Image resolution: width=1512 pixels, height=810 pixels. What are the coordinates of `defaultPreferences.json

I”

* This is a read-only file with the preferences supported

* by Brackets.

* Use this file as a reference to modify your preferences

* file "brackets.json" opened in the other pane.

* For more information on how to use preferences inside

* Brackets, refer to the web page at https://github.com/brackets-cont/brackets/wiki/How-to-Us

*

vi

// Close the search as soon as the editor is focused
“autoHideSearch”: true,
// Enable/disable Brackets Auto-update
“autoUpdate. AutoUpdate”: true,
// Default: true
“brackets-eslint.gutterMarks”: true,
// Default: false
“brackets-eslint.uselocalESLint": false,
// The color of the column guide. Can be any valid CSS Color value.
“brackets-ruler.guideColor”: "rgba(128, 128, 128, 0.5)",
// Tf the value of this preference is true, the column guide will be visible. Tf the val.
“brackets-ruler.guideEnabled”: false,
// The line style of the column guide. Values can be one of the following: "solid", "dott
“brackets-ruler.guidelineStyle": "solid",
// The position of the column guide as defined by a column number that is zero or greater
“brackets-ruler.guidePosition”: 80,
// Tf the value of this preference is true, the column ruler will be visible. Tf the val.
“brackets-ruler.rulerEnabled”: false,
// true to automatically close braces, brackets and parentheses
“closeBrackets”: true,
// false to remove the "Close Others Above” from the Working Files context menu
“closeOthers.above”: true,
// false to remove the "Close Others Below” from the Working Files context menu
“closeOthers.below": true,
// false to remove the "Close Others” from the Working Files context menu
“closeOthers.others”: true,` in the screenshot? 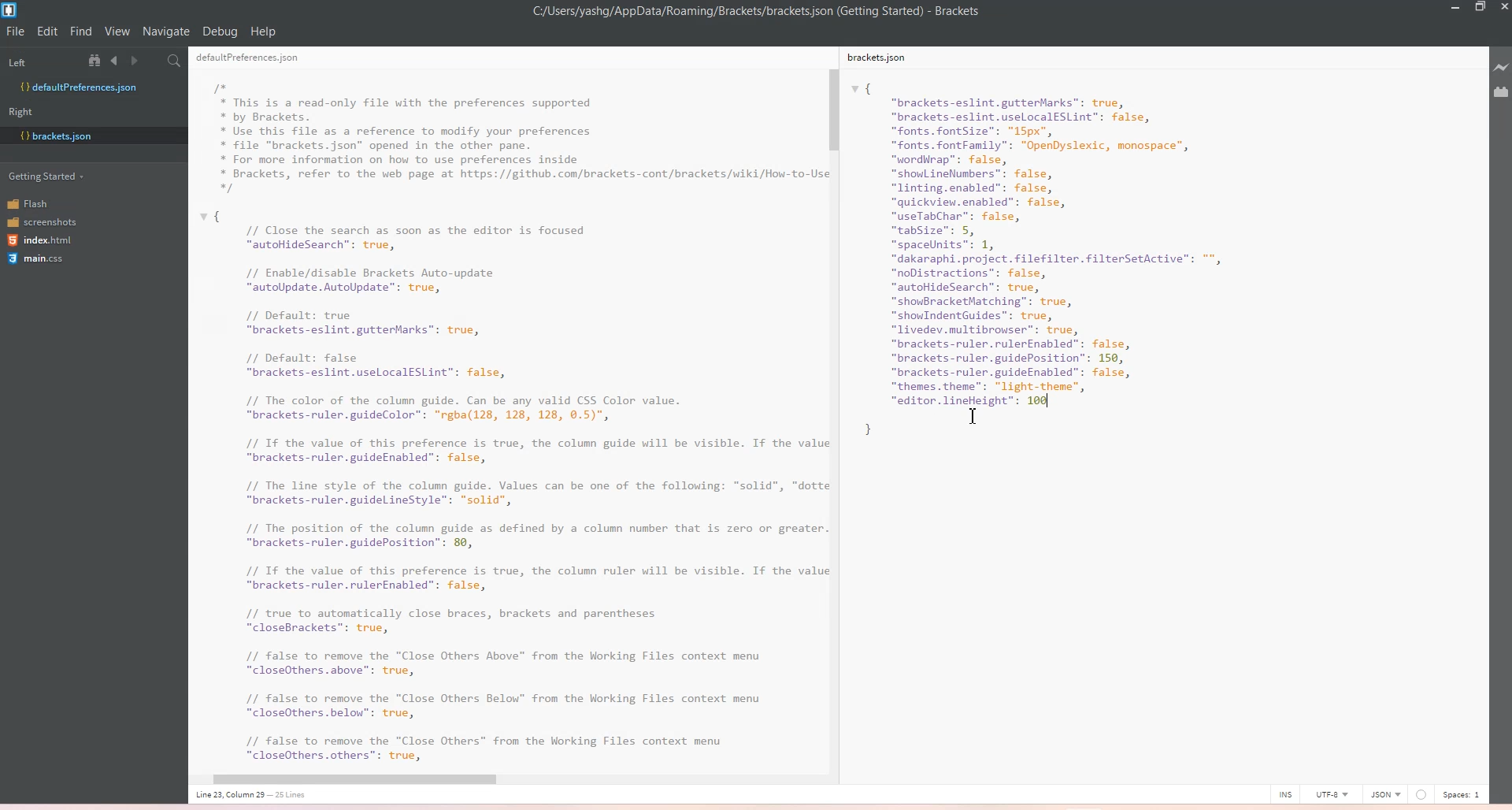 It's located at (508, 422).